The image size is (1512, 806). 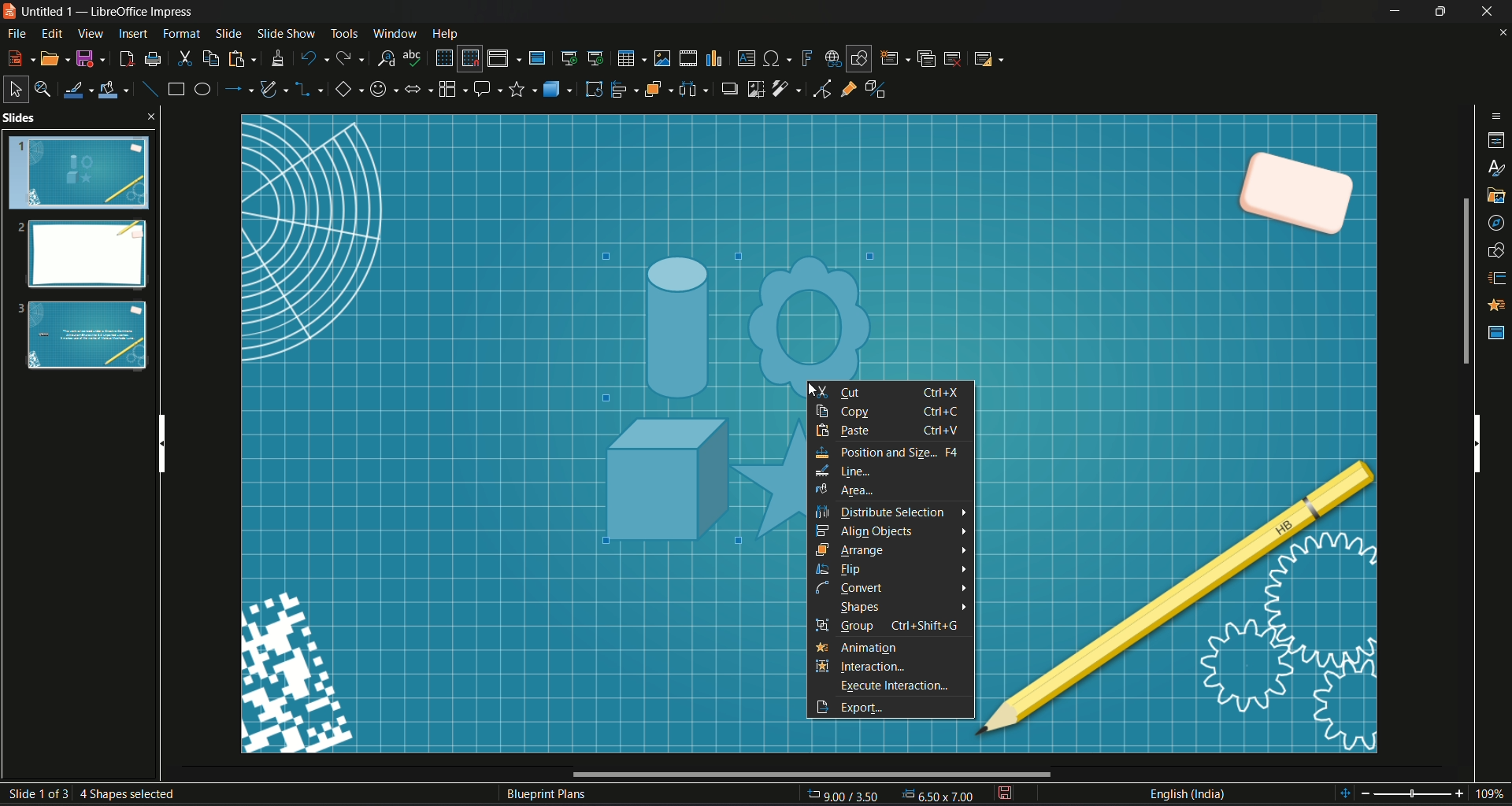 What do you see at coordinates (658, 90) in the screenshot?
I see `arrange` at bounding box center [658, 90].